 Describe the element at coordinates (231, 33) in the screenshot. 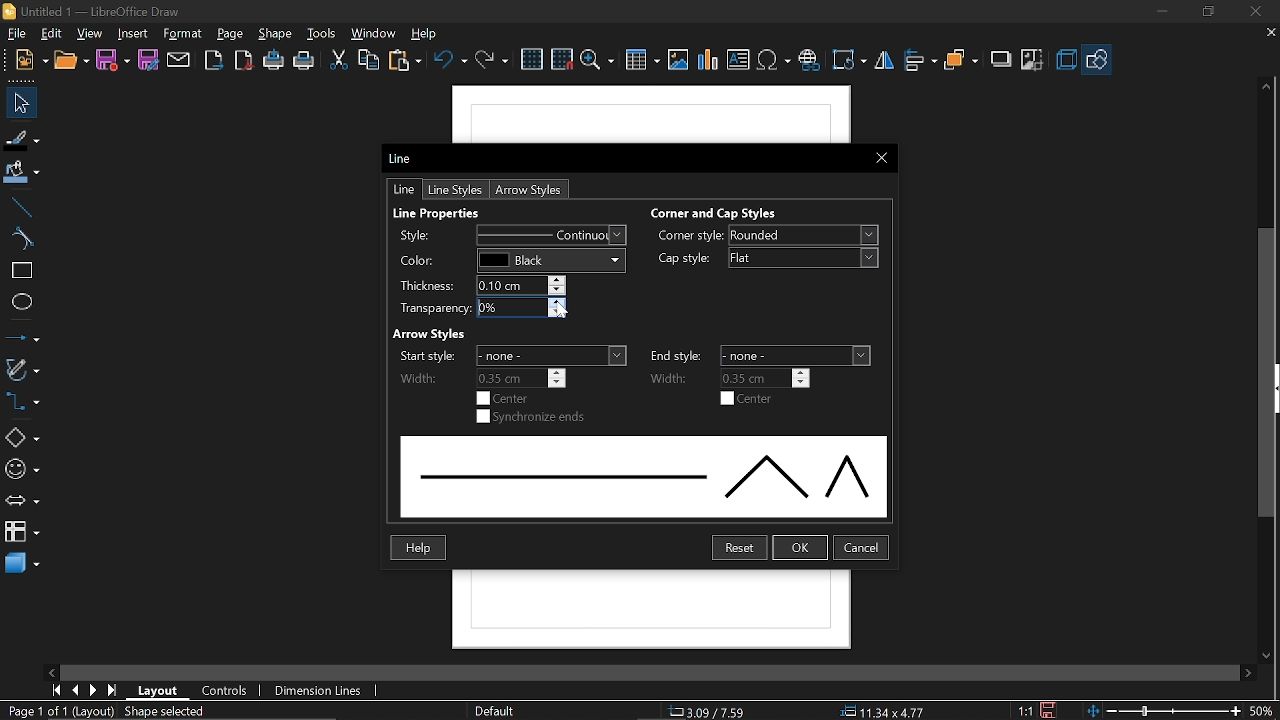

I see `page` at that location.